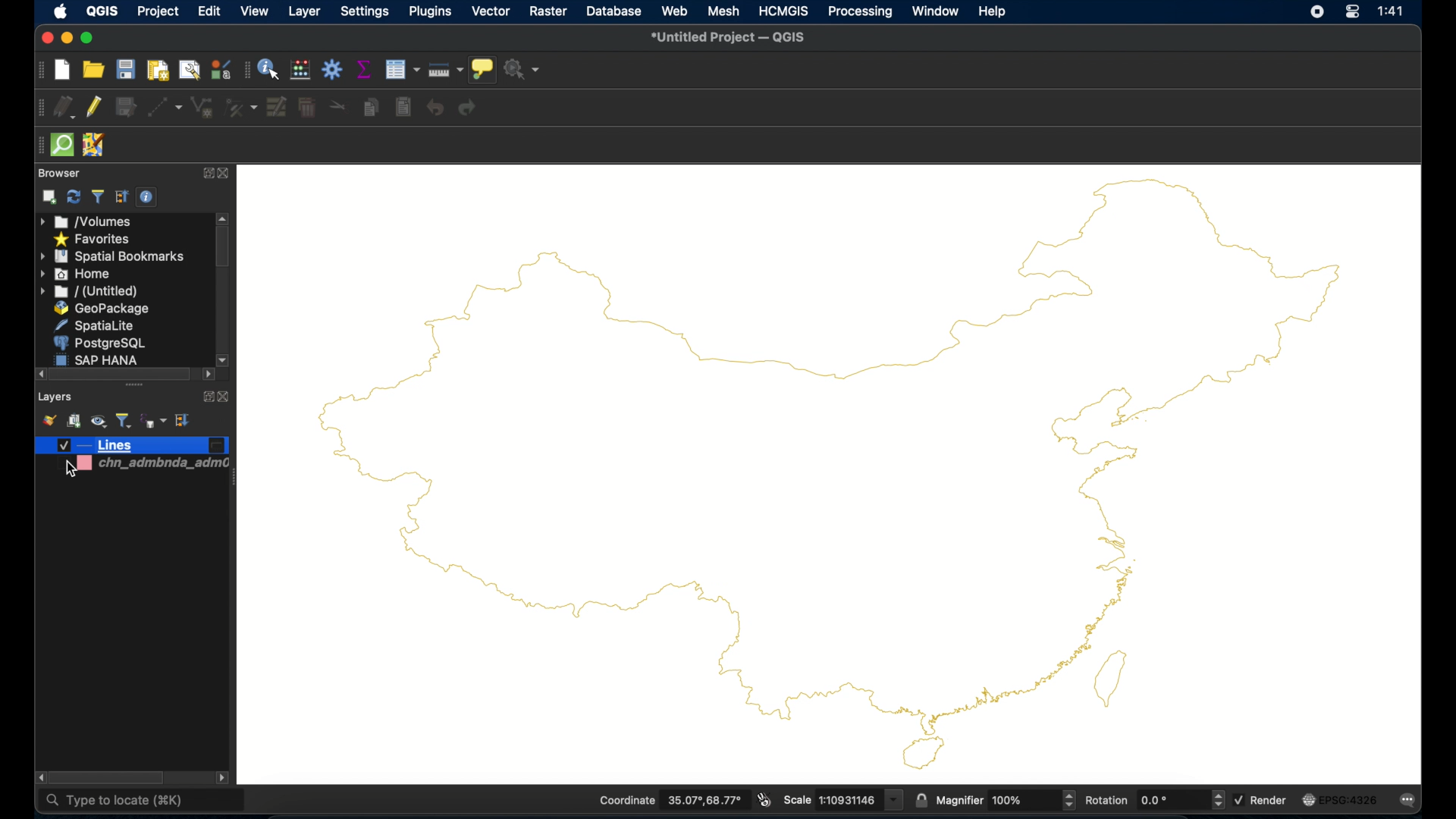  I want to click on postgresql, so click(98, 343).